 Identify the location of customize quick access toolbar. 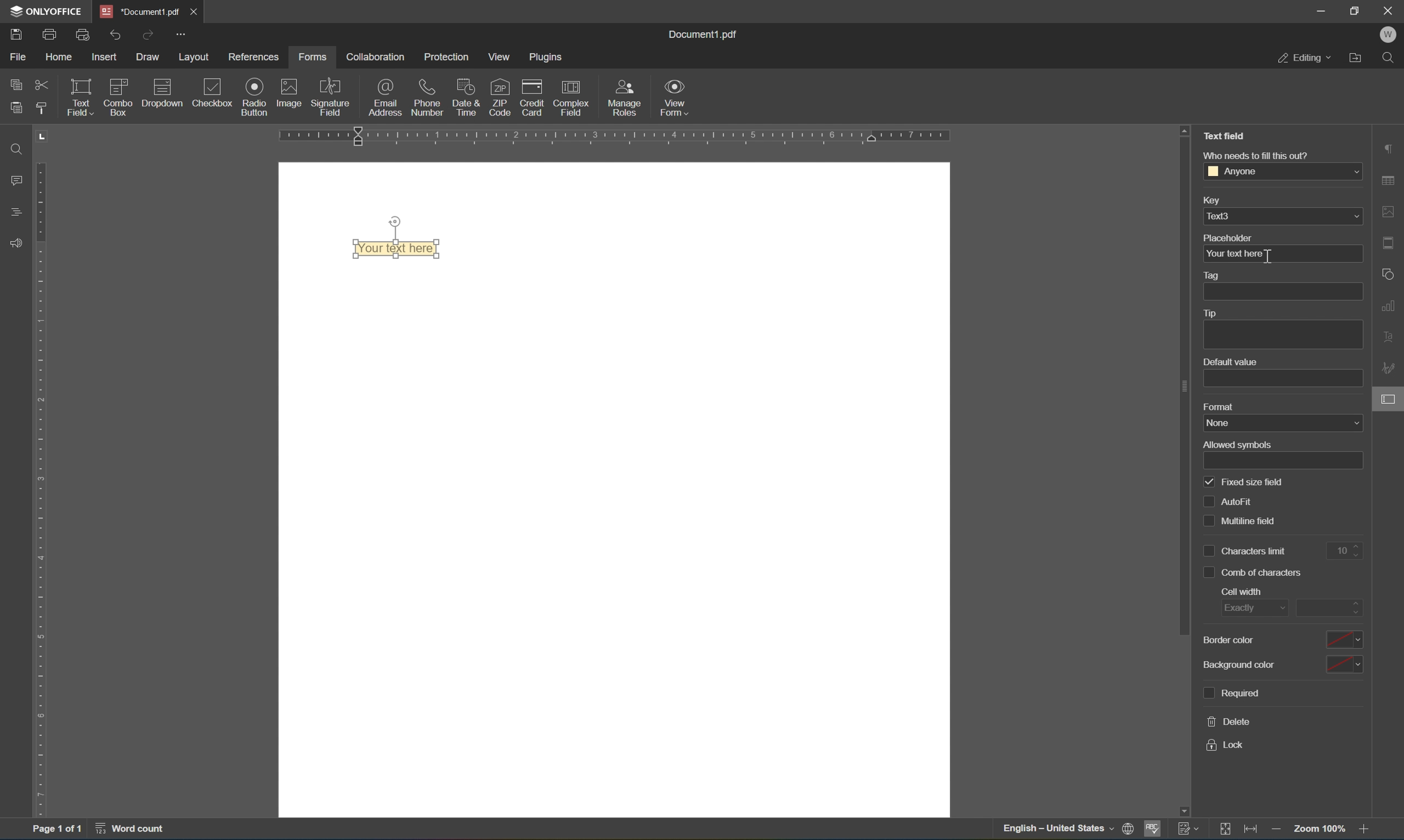
(182, 34).